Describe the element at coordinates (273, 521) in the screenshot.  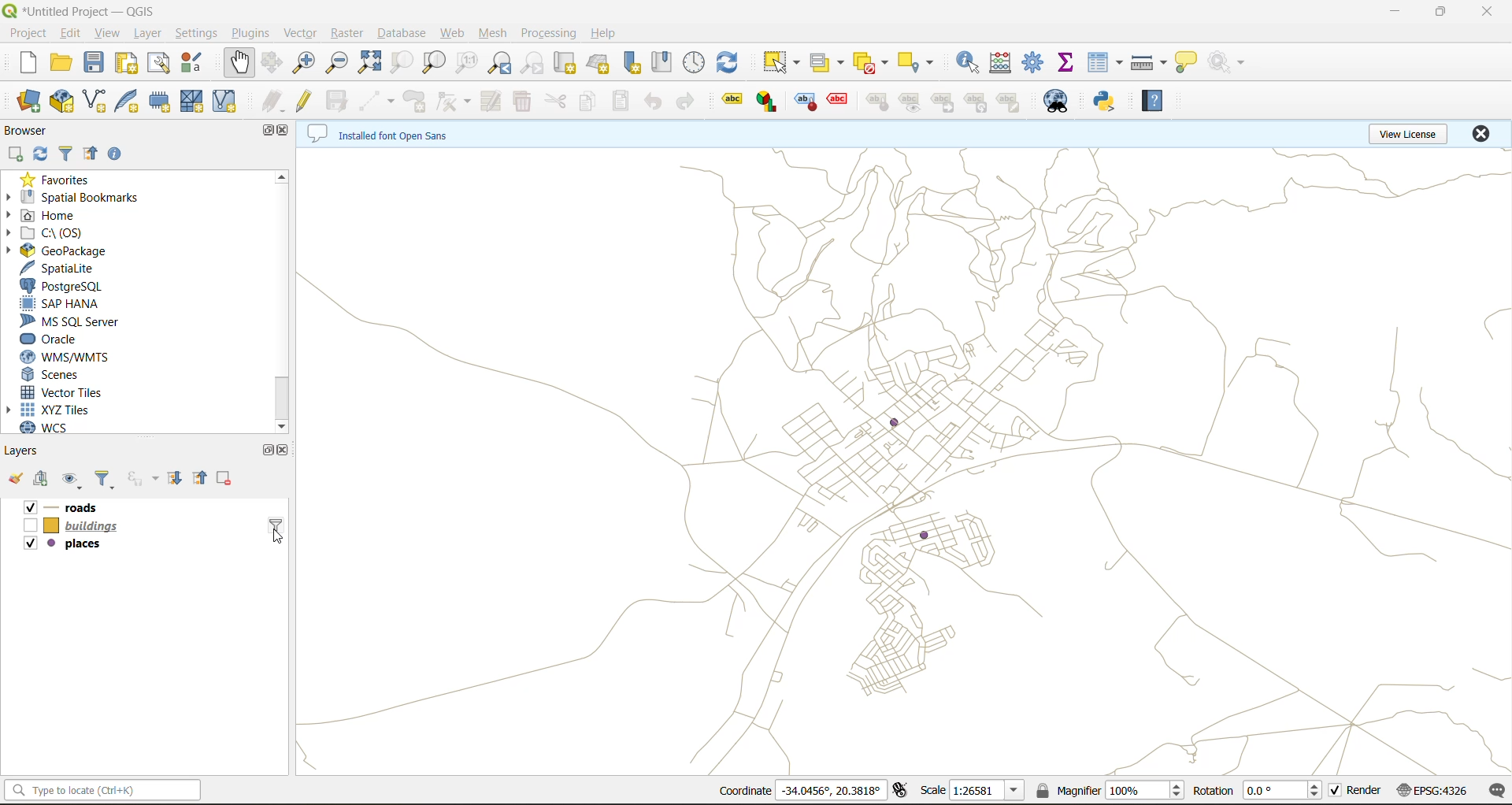
I see `layer query` at that location.